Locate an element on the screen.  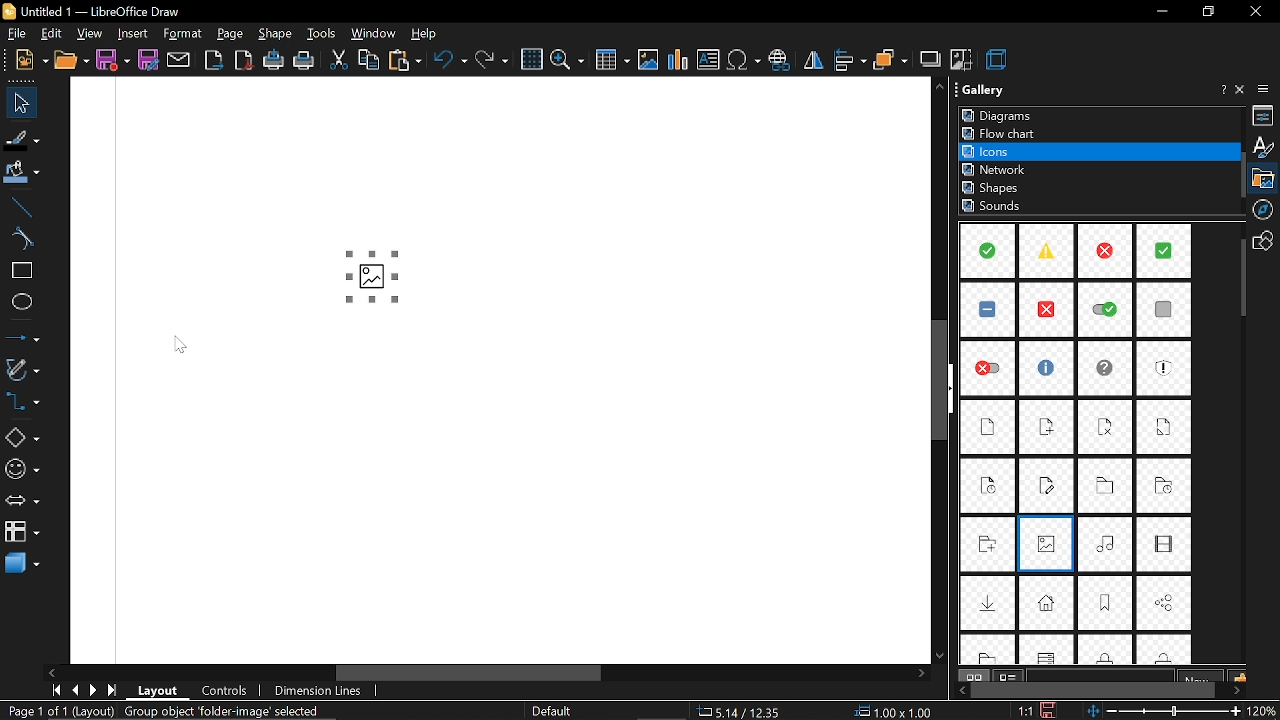
export is located at coordinates (214, 60).